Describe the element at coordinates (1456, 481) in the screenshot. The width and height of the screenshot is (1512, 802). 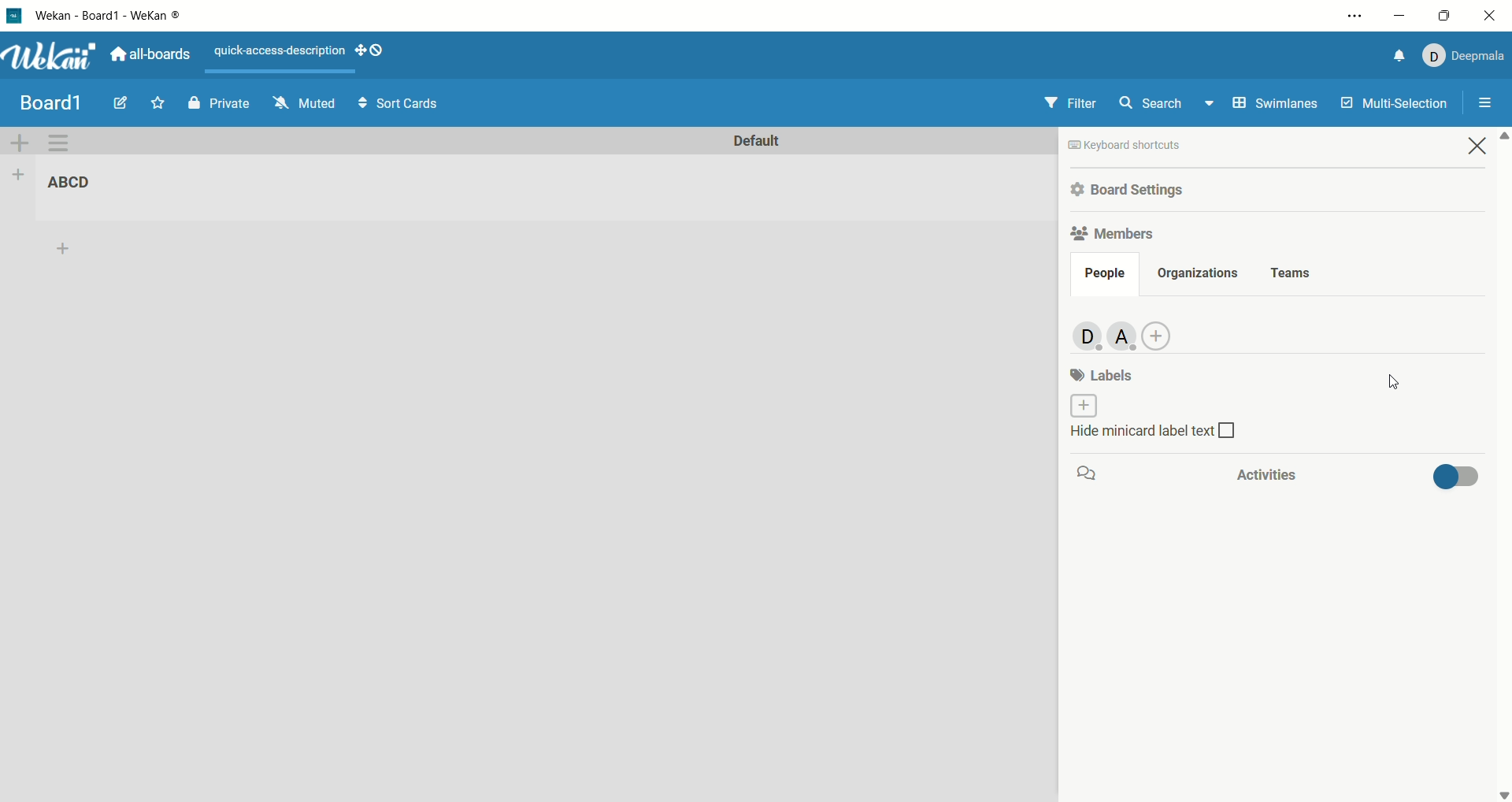
I see `toggle` at that location.